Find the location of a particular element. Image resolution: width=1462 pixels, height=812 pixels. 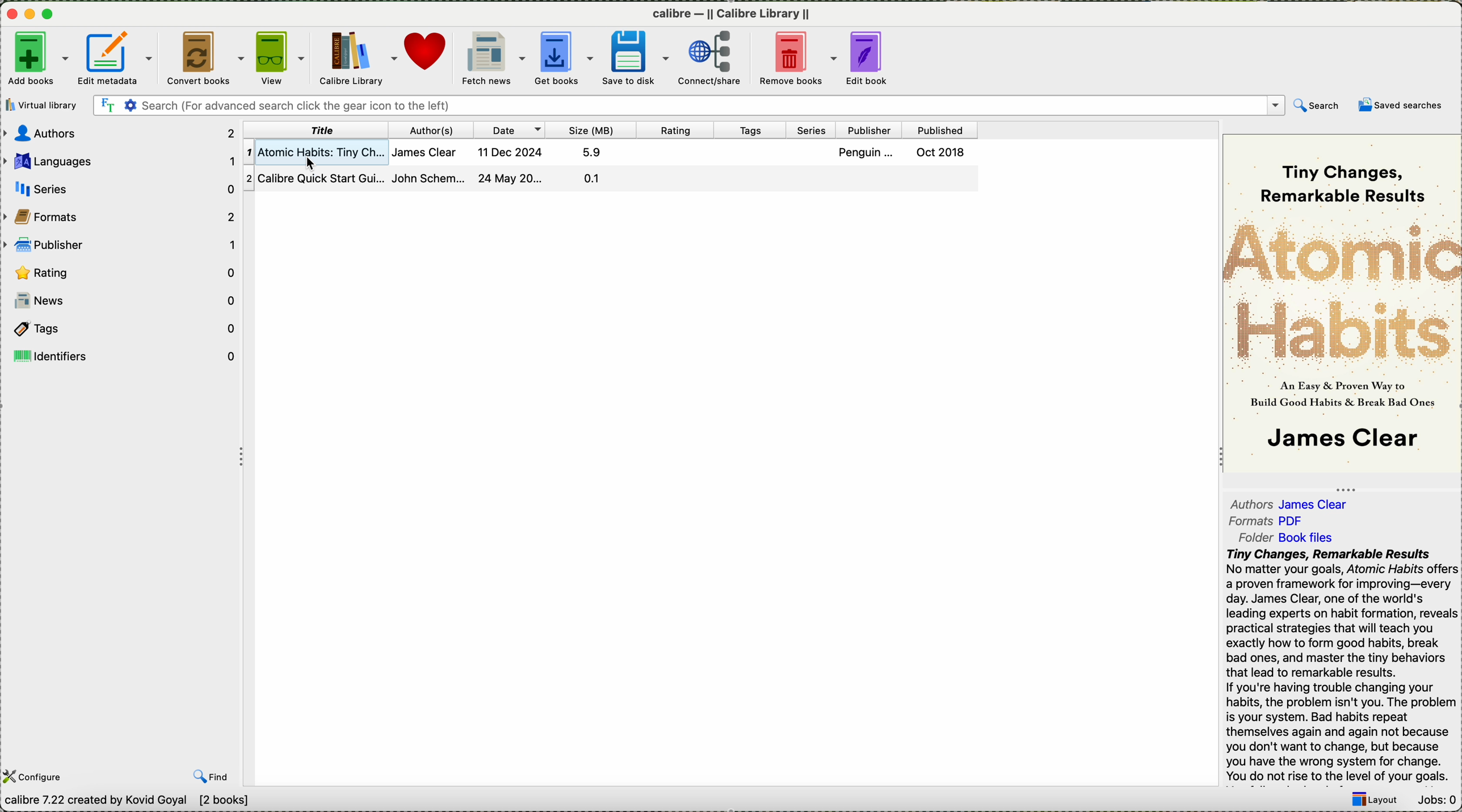

news is located at coordinates (123, 299).